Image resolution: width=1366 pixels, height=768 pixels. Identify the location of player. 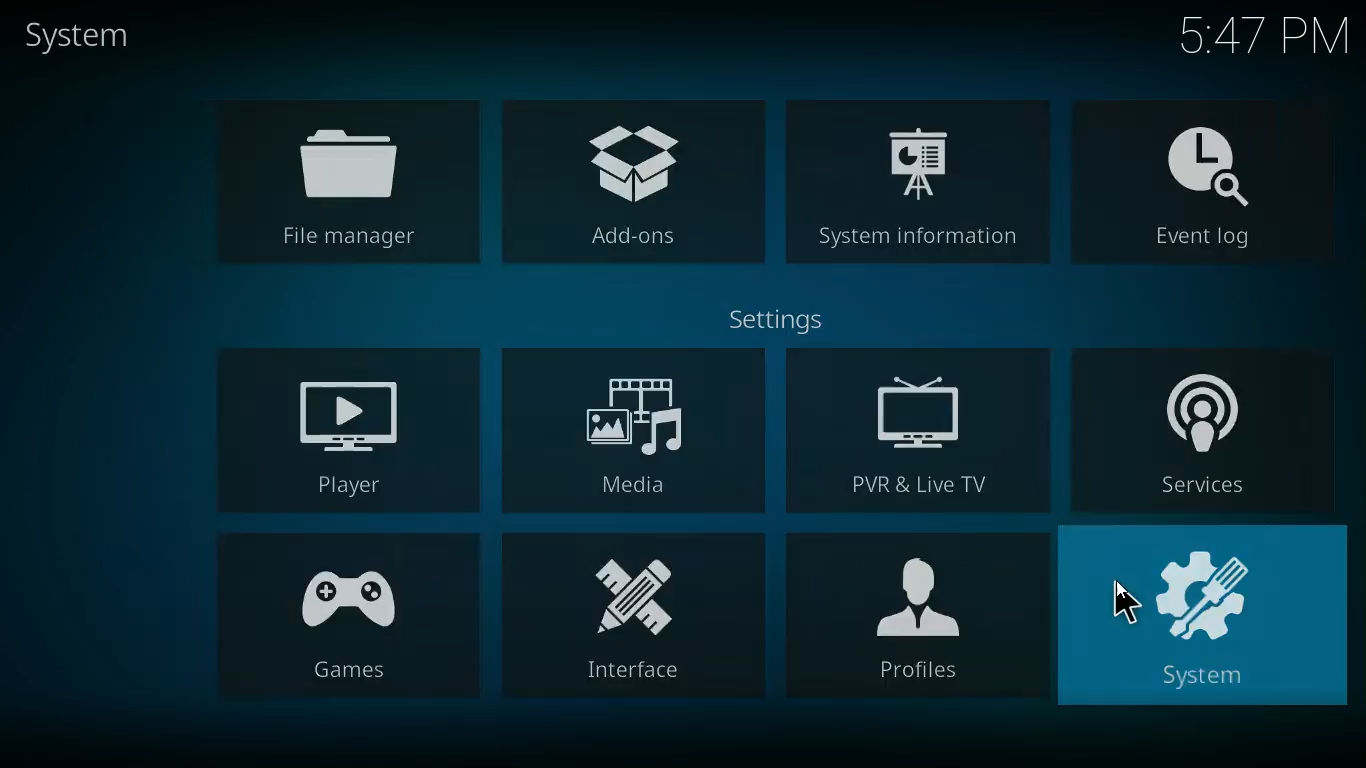
(356, 430).